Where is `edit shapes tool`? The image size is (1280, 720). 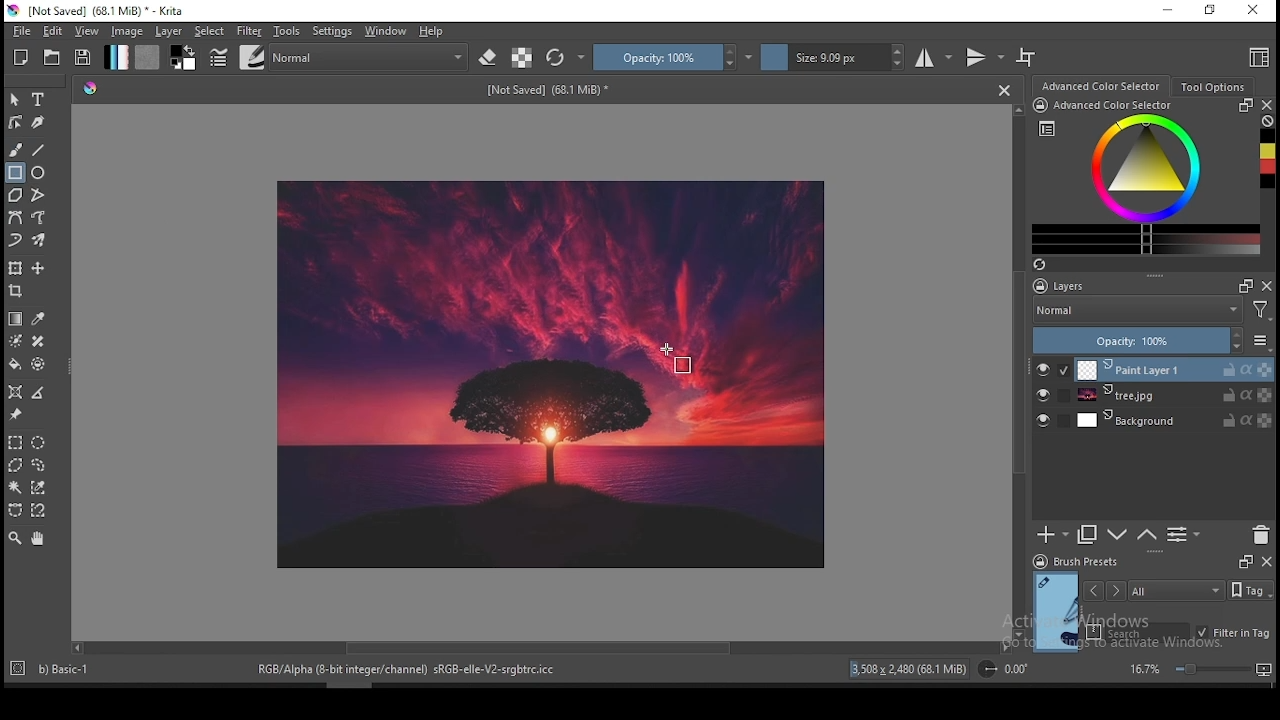
edit shapes tool is located at coordinates (16, 121).